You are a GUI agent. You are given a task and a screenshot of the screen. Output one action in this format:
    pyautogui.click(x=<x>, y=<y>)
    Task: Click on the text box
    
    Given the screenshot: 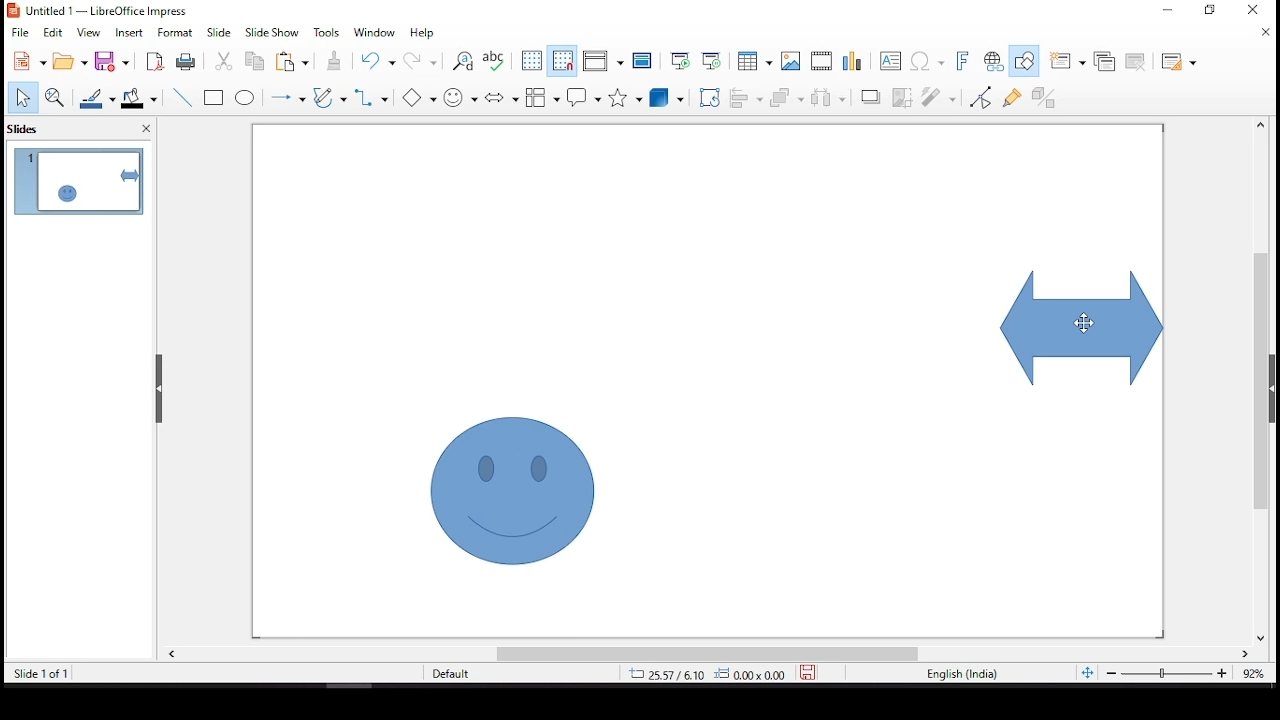 What is the action you would take?
    pyautogui.click(x=893, y=63)
    